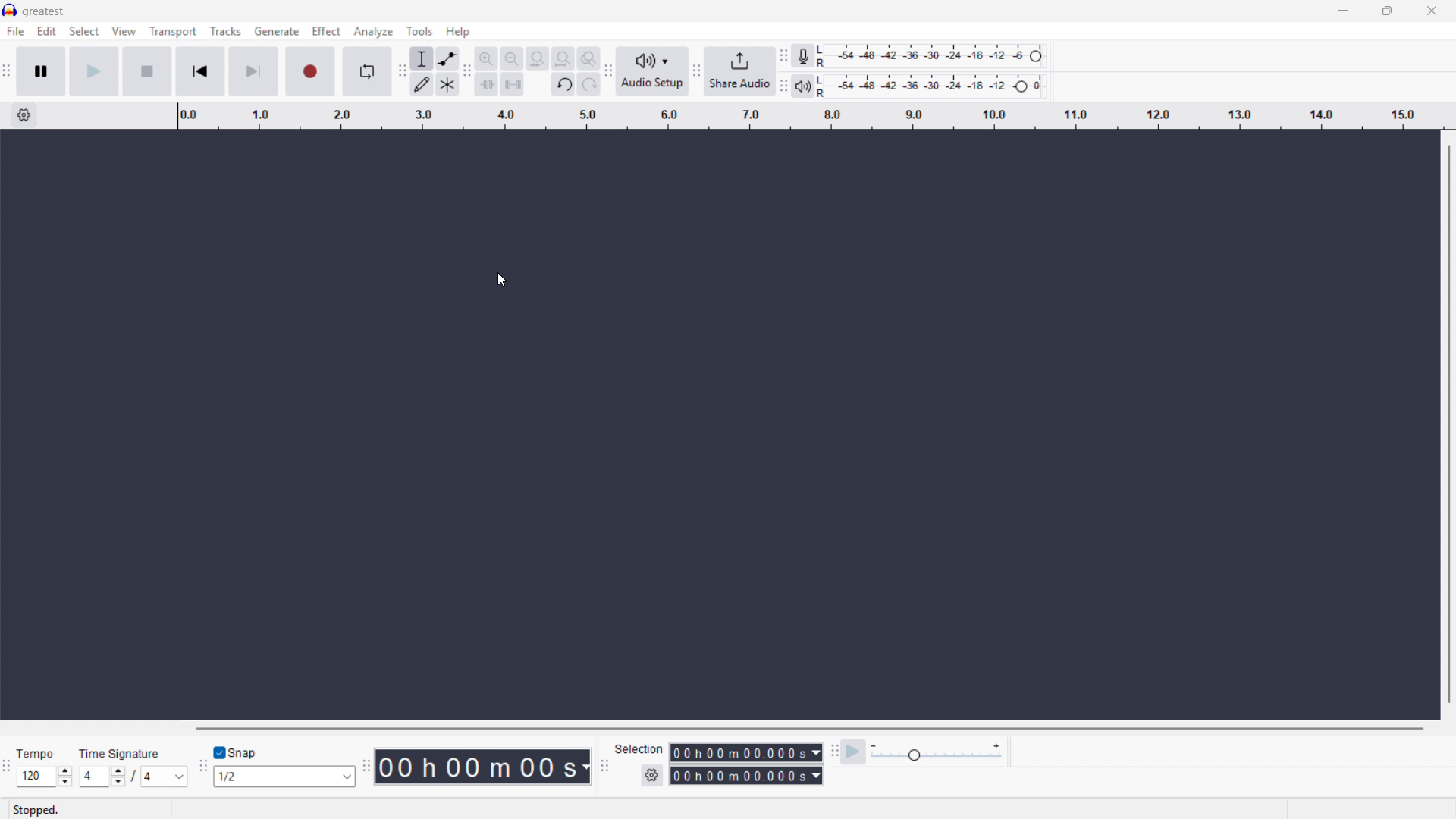  What do you see at coordinates (238, 752) in the screenshot?
I see `toggle snap` at bounding box center [238, 752].